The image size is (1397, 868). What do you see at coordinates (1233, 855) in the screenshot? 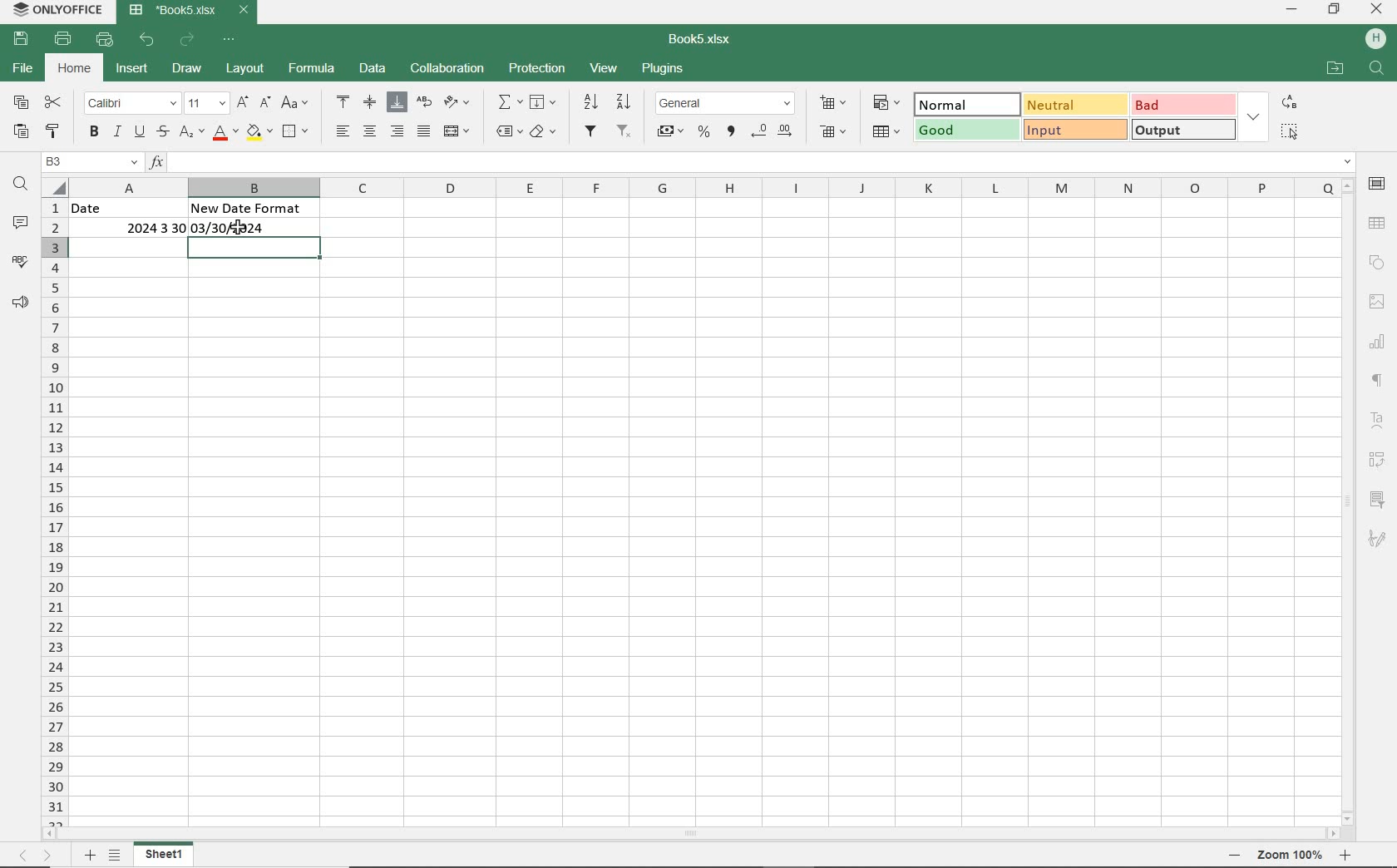
I see `zoom out` at bounding box center [1233, 855].